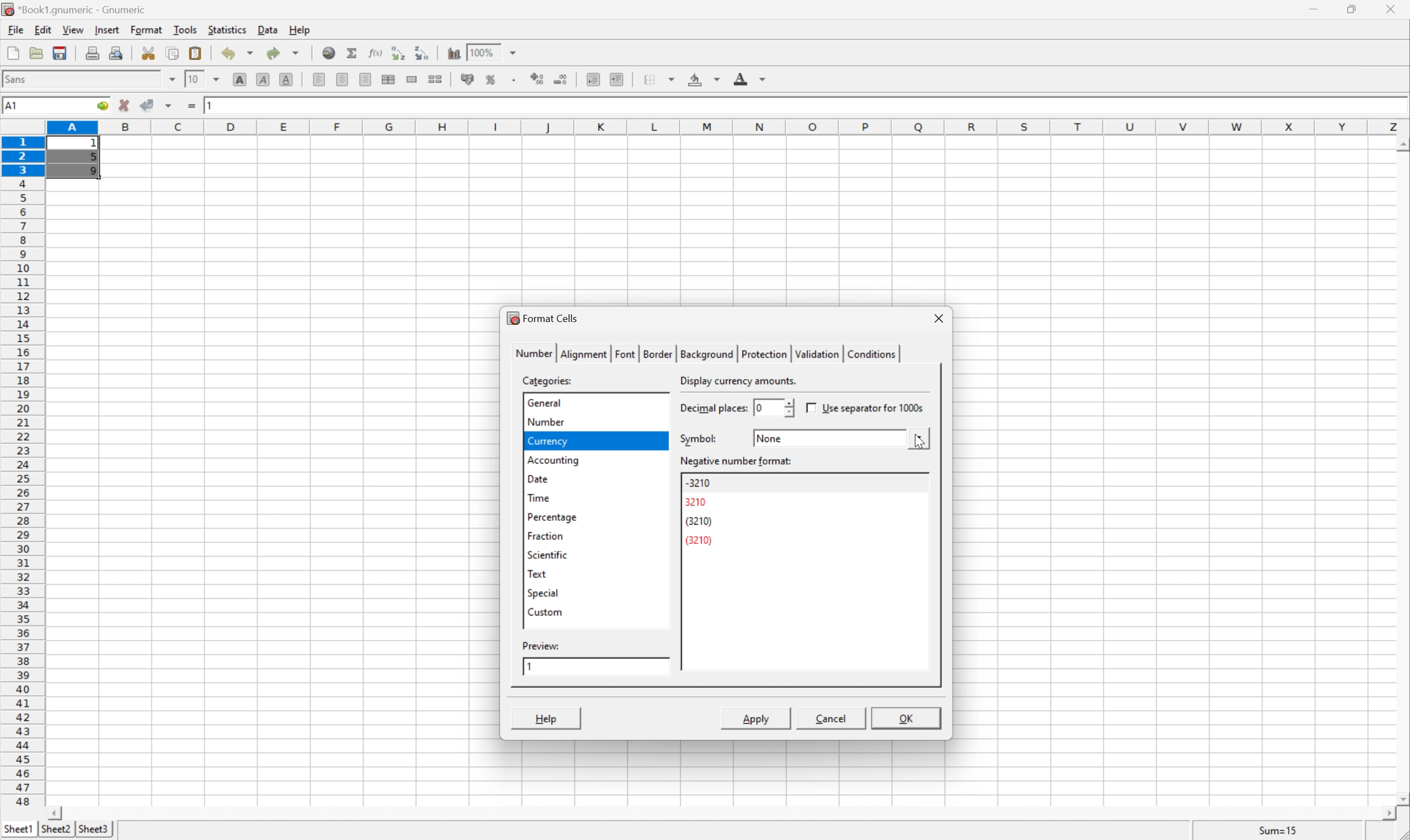 This screenshot has height=840, width=1410. What do you see at coordinates (779, 381) in the screenshot?
I see `select an appropriate format automatically.` at bounding box center [779, 381].